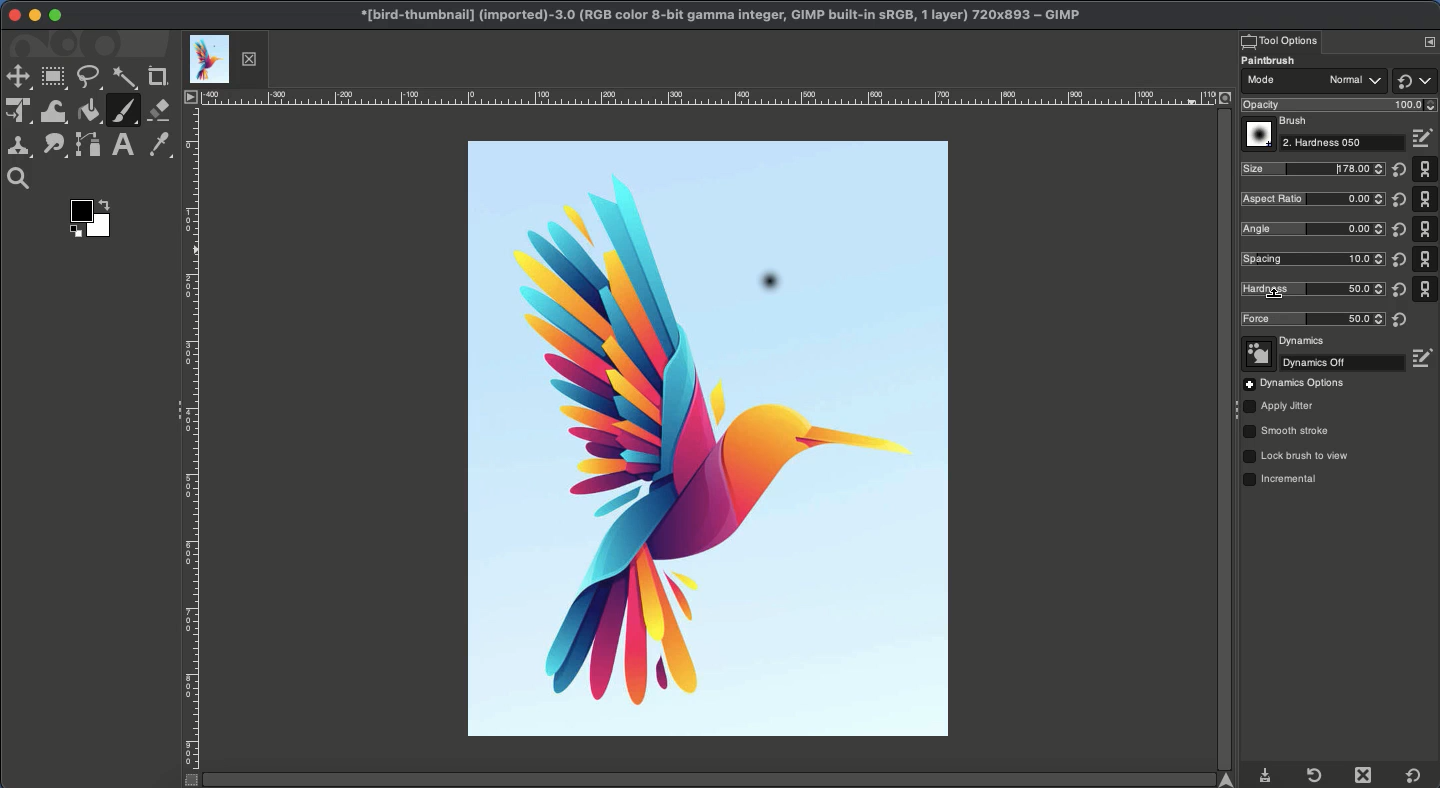 The height and width of the screenshot is (788, 1440). I want to click on Download, so click(1266, 777).